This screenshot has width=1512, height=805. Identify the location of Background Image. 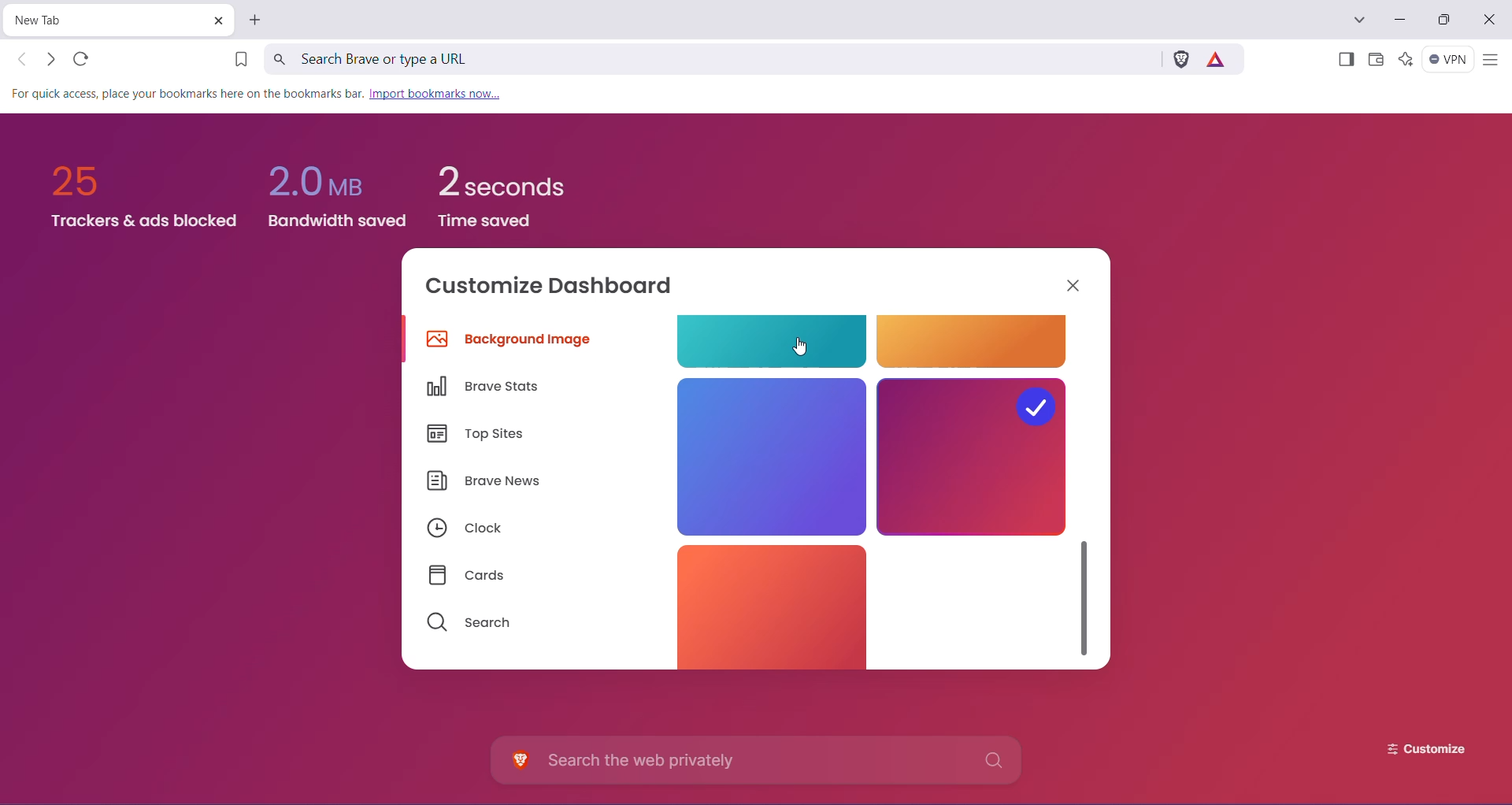
(513, 342).